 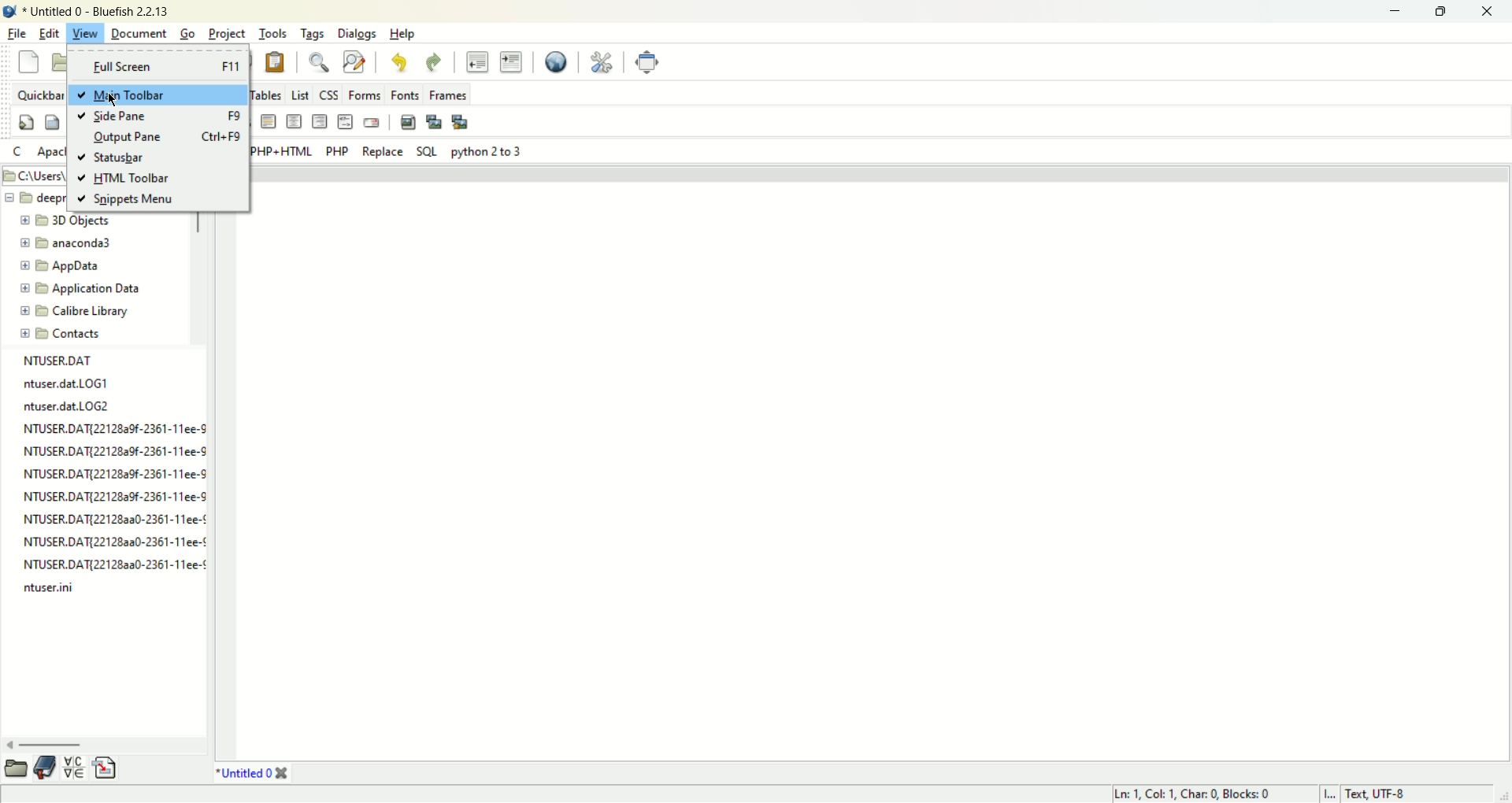 I want to click on I, so click(x=1330, y=794).